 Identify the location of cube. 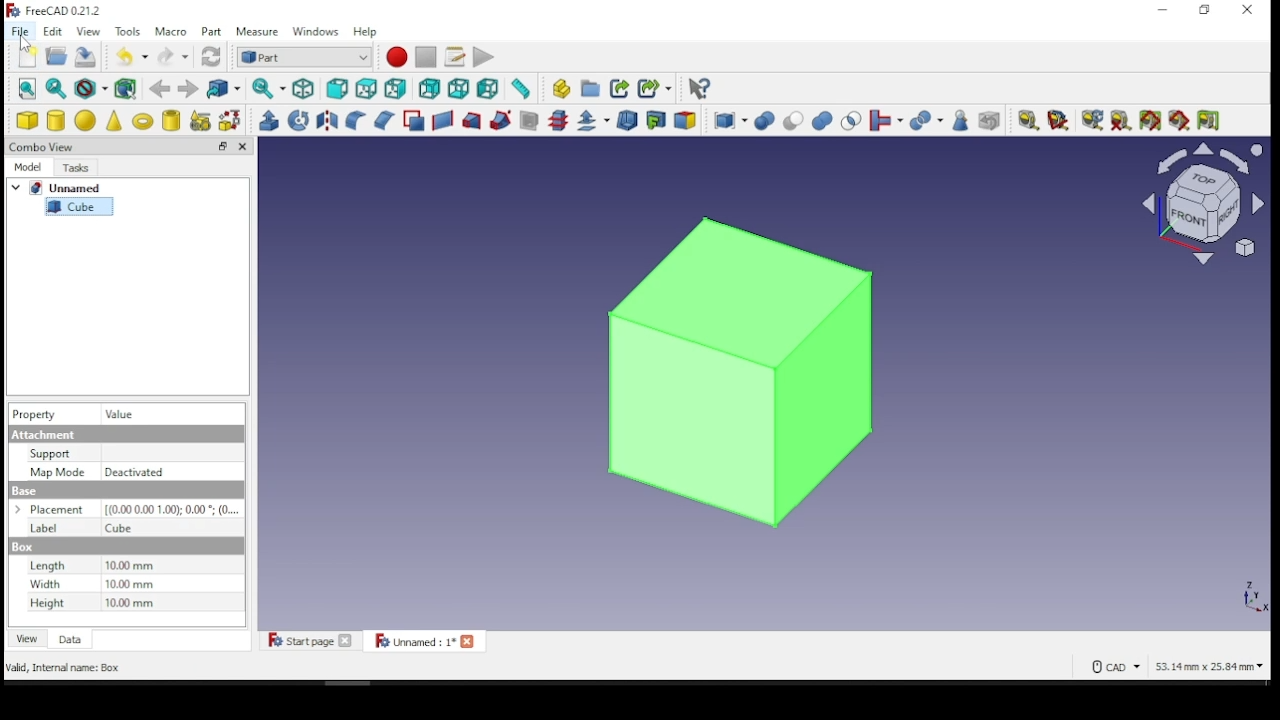
(80, 206).